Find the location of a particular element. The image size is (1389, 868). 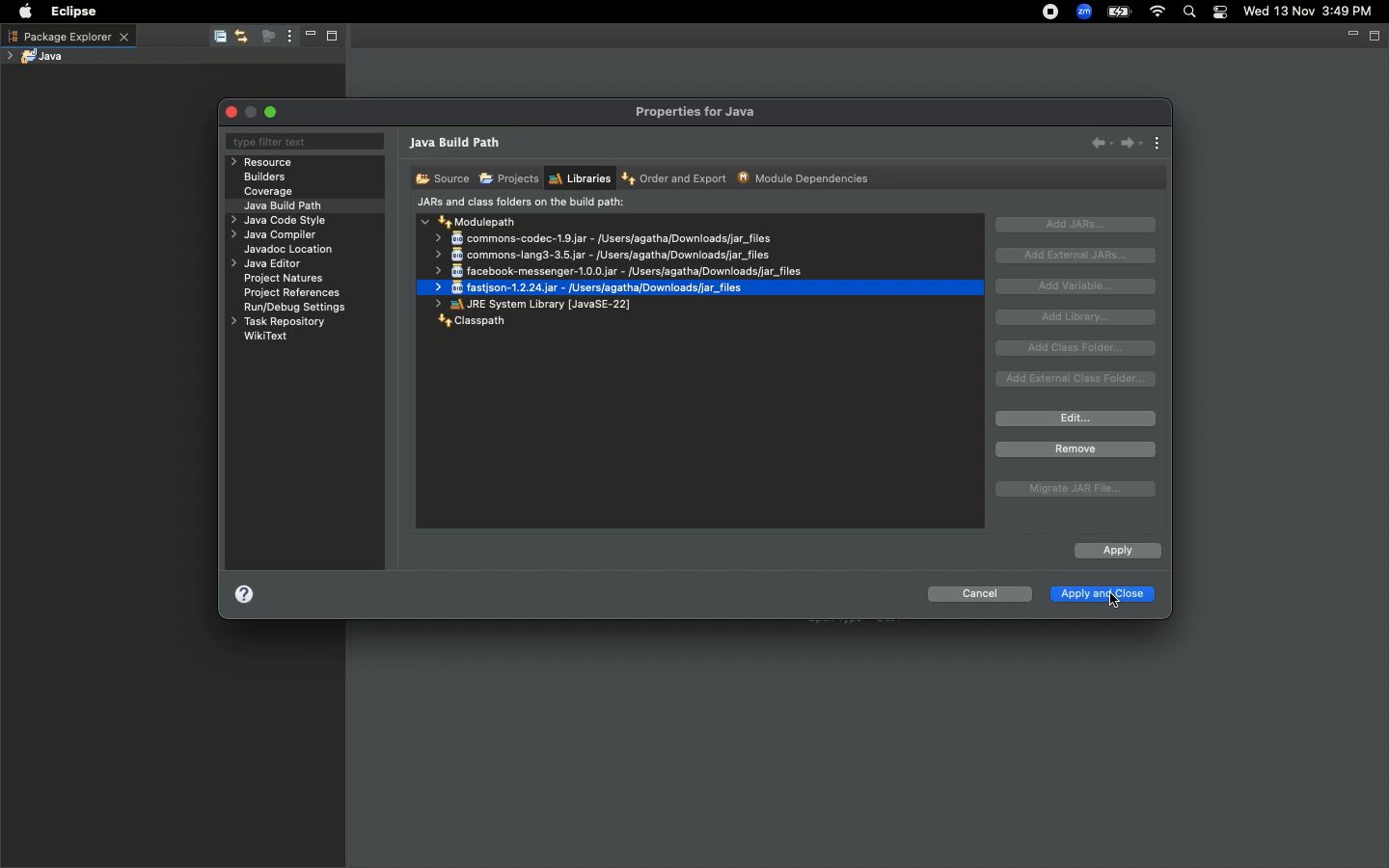

Project references  is located at coordinates (294, 293).